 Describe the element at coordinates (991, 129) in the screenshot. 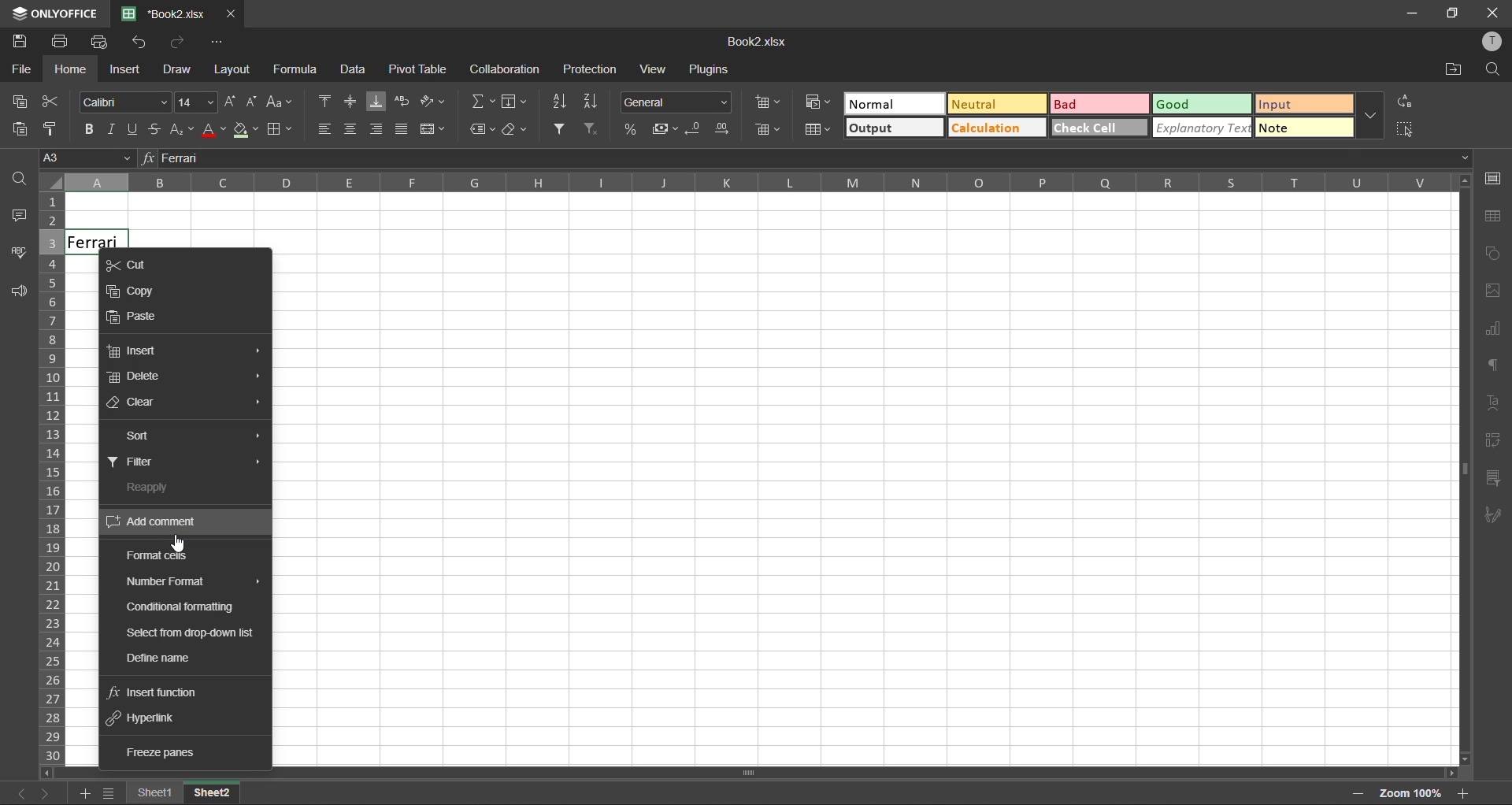

I see `calculation` at that location.